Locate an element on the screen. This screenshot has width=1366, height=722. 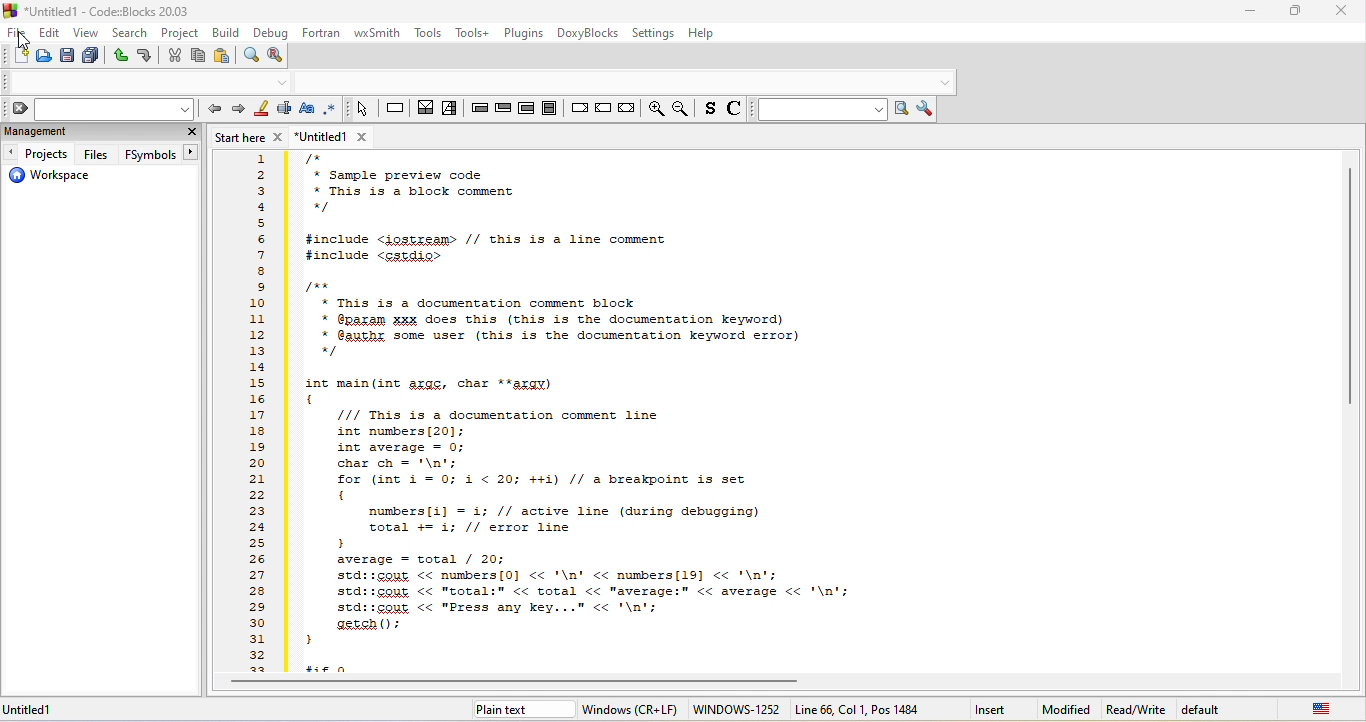
search is located at coordinates (130, 32).